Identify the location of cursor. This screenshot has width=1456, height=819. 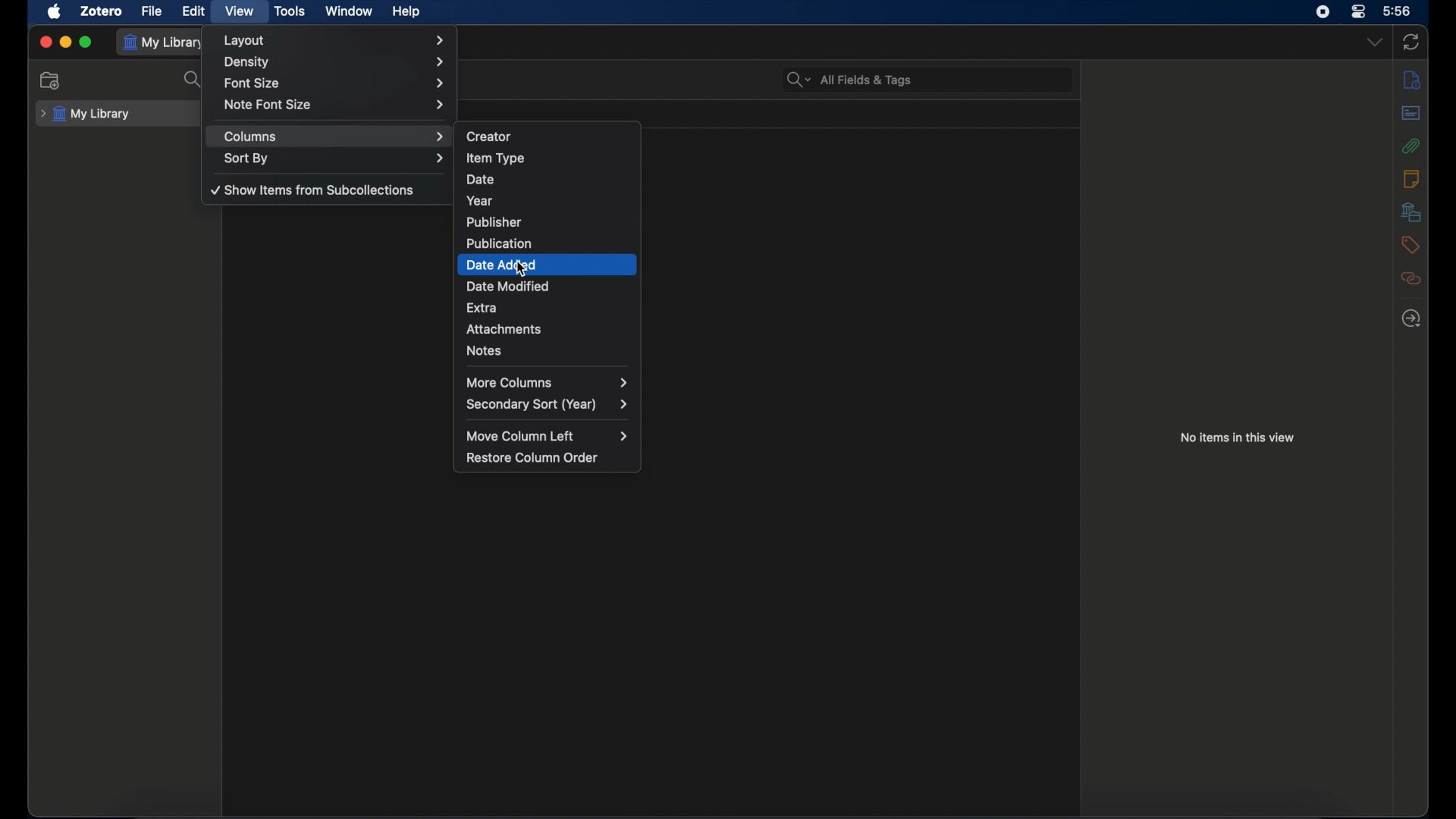
(519, 273).